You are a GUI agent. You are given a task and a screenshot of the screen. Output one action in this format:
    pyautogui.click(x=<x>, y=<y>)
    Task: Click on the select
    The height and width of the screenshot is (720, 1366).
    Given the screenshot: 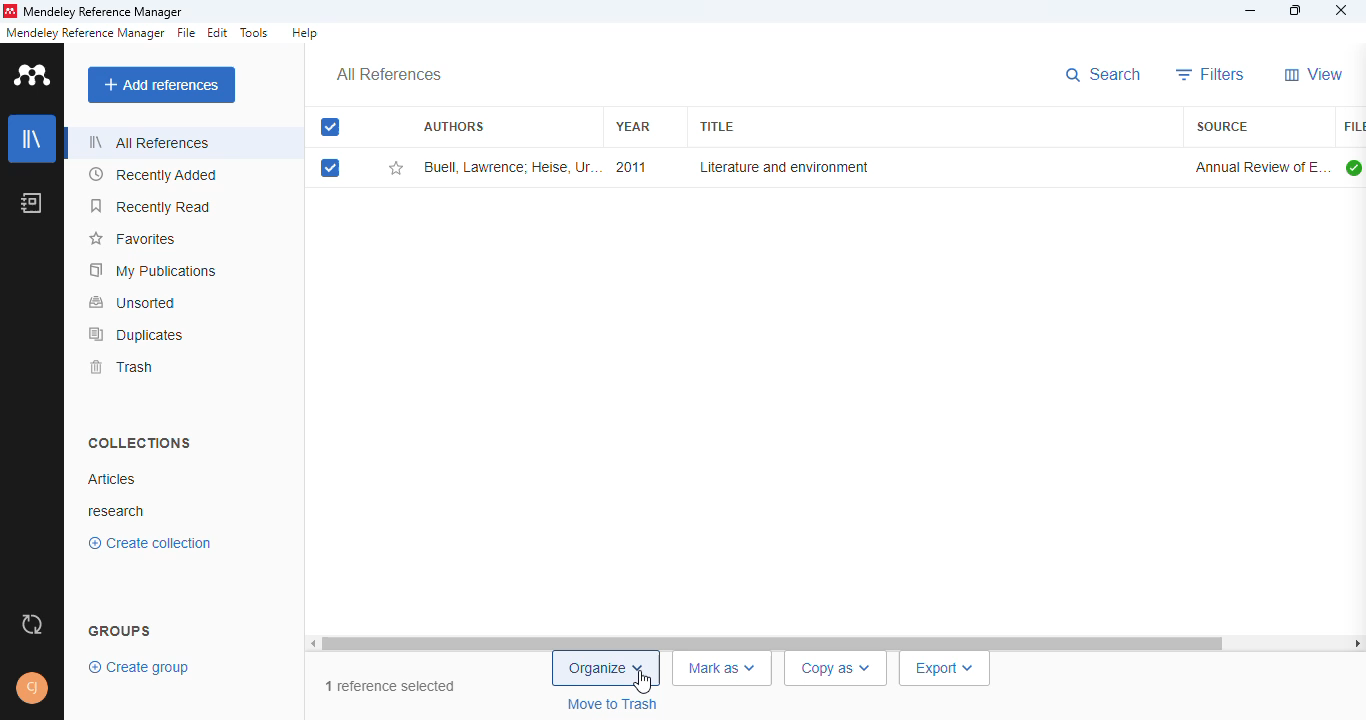 What is the action you would take?
    pyautogui.click(x=331, y=127)
    